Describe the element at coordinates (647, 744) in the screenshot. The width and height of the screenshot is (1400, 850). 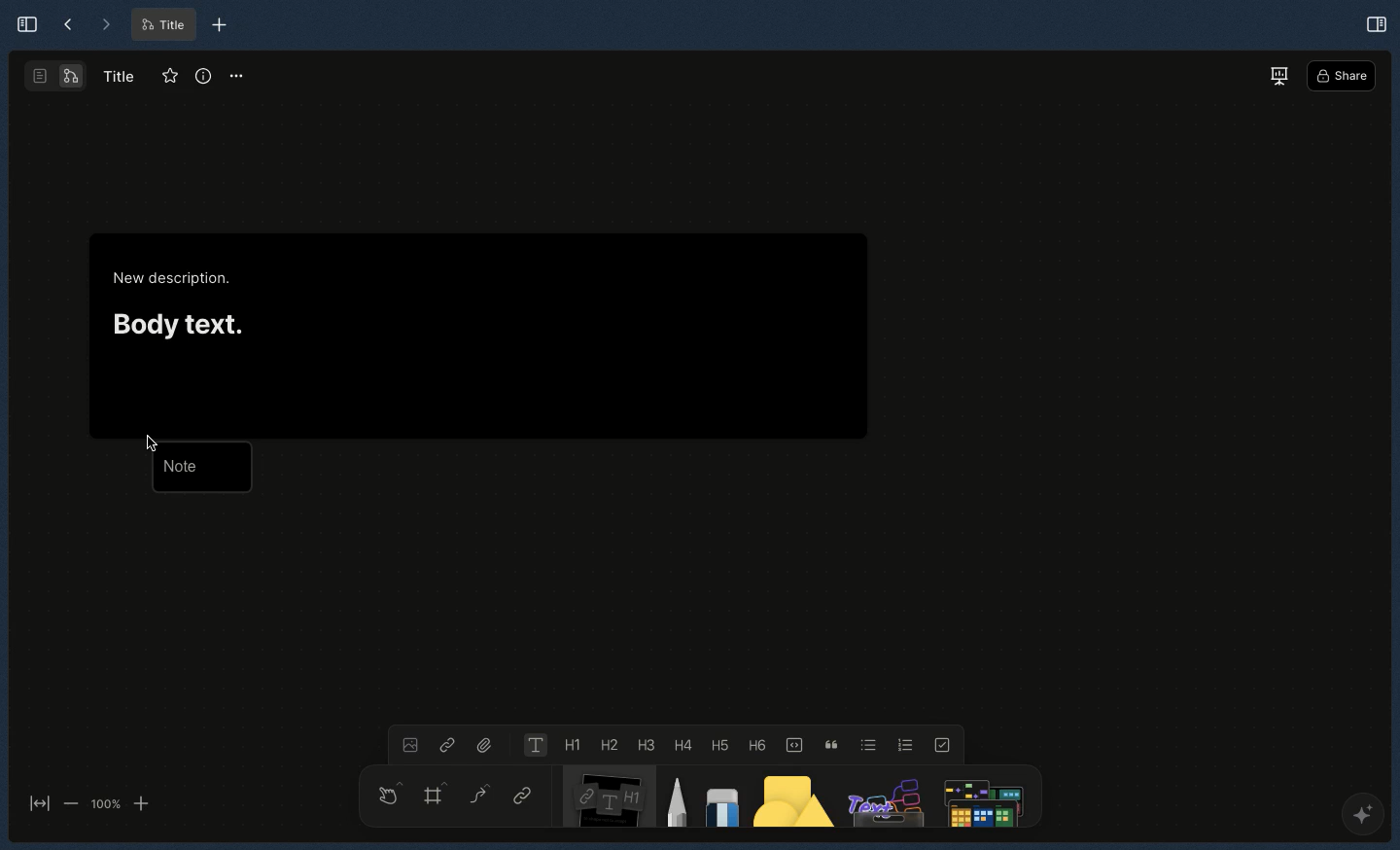
I see `Heading 3` at that location.